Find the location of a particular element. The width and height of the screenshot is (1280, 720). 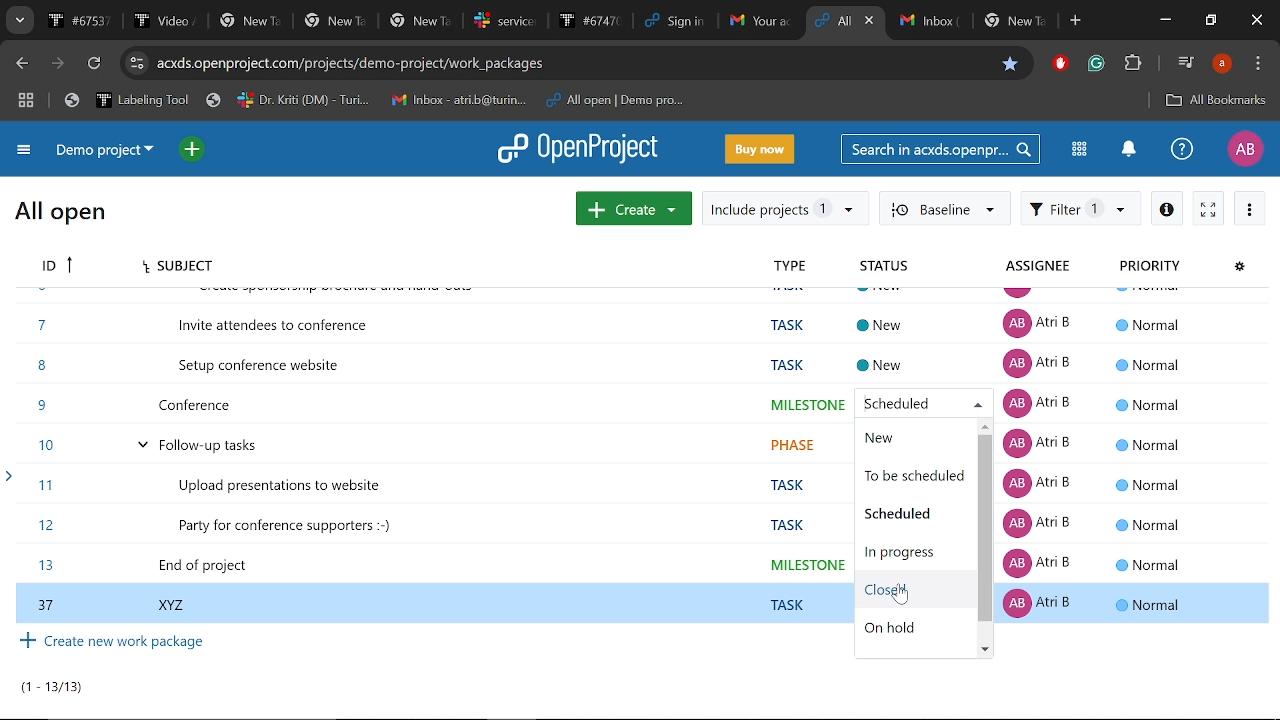

Add new tab is located at coordinates (1076, 21).